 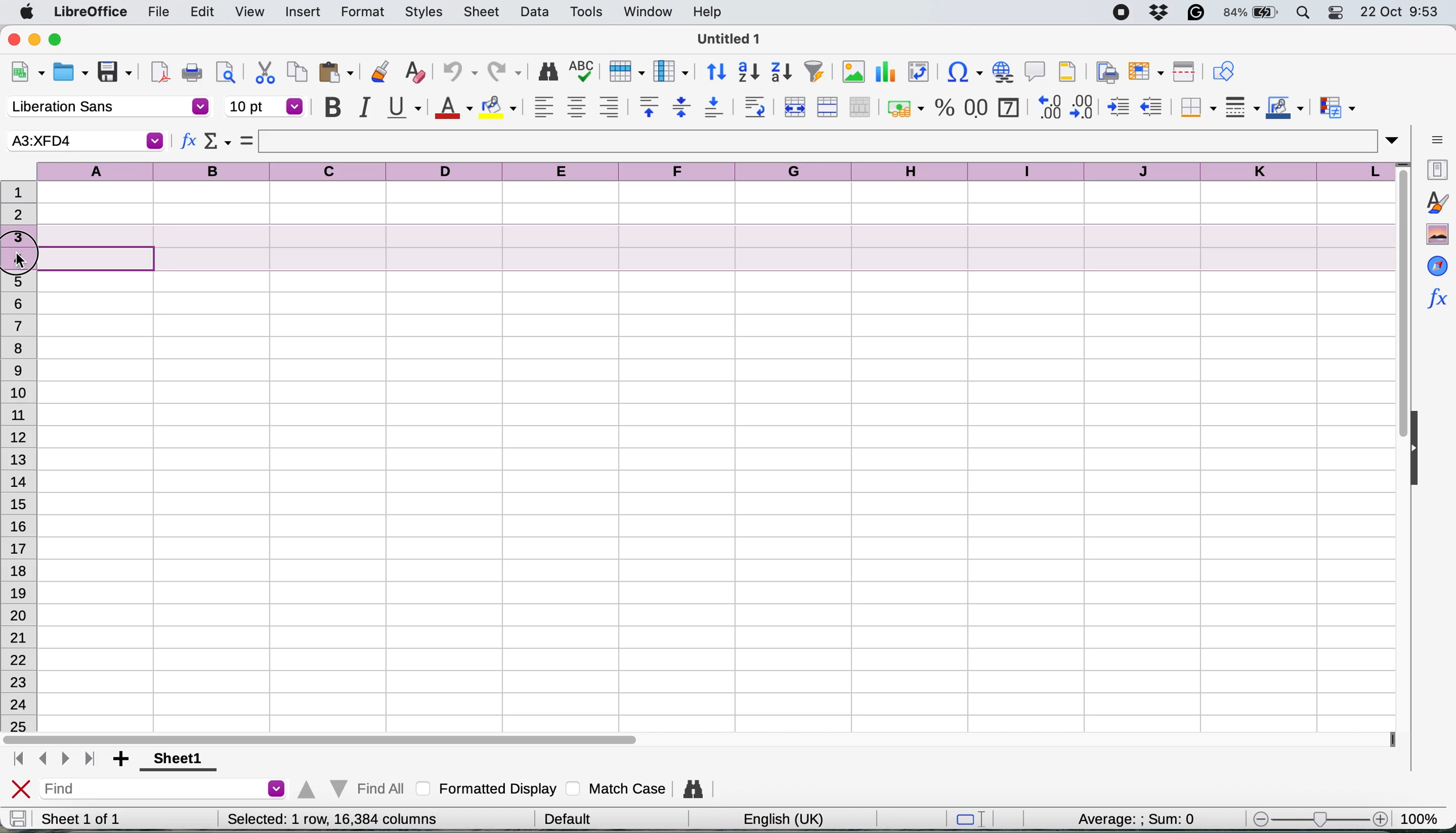 I want to click on rows selected, so click(x=691, y=248).